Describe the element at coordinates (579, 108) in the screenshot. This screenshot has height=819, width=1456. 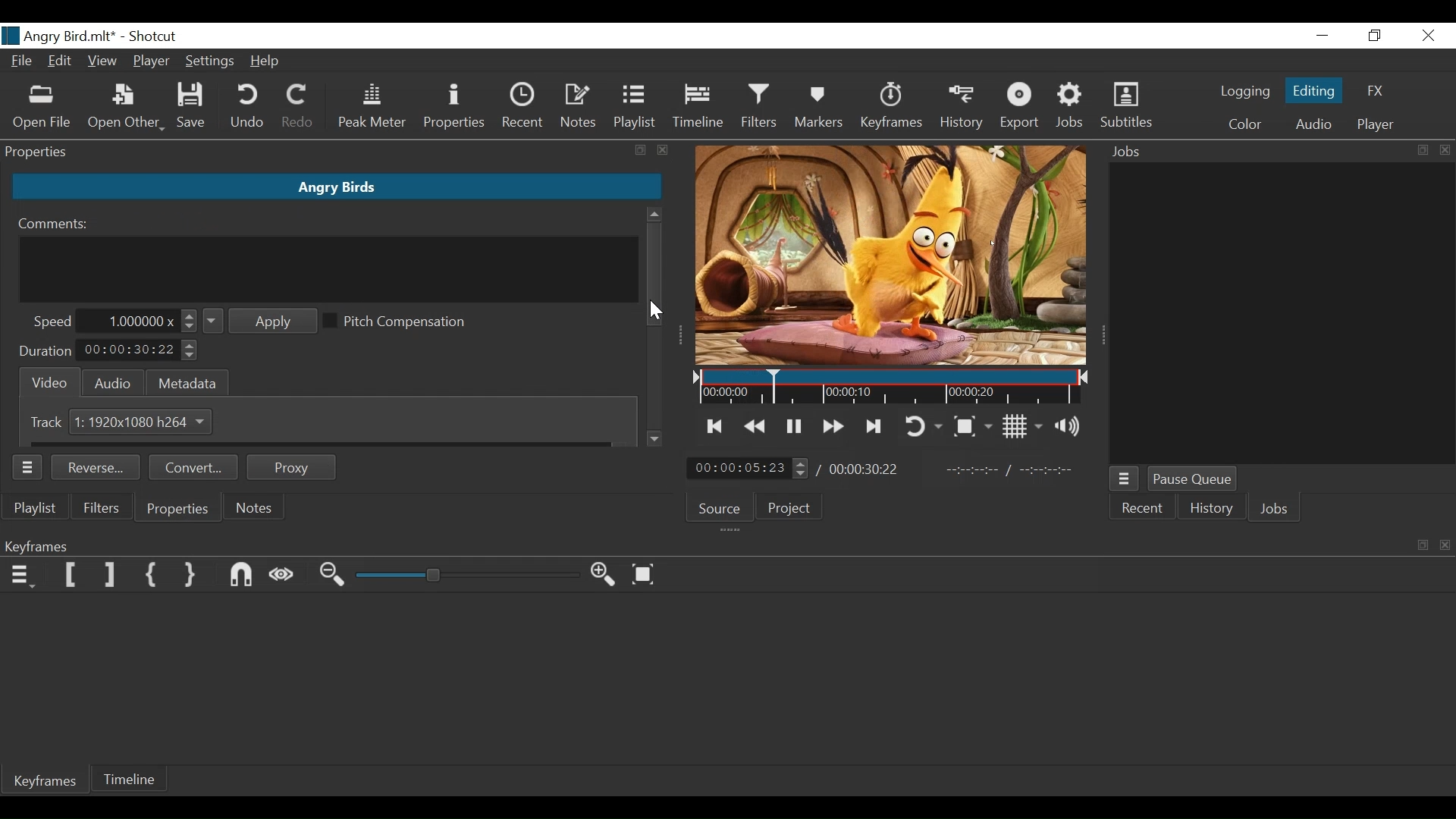
I see `Notes` at that location.